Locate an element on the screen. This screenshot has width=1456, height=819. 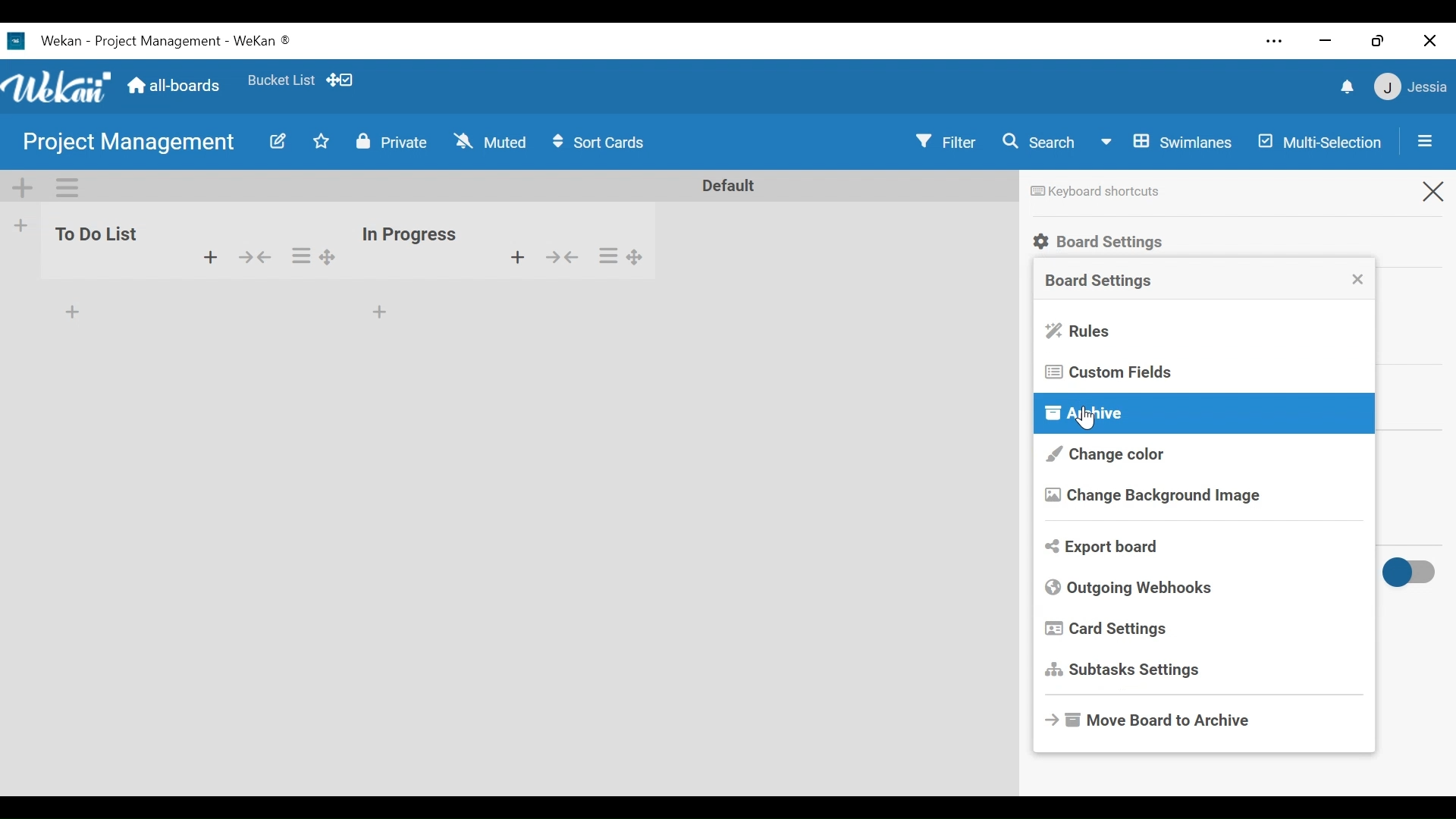
hide/show is located at coordinates (253, 256).